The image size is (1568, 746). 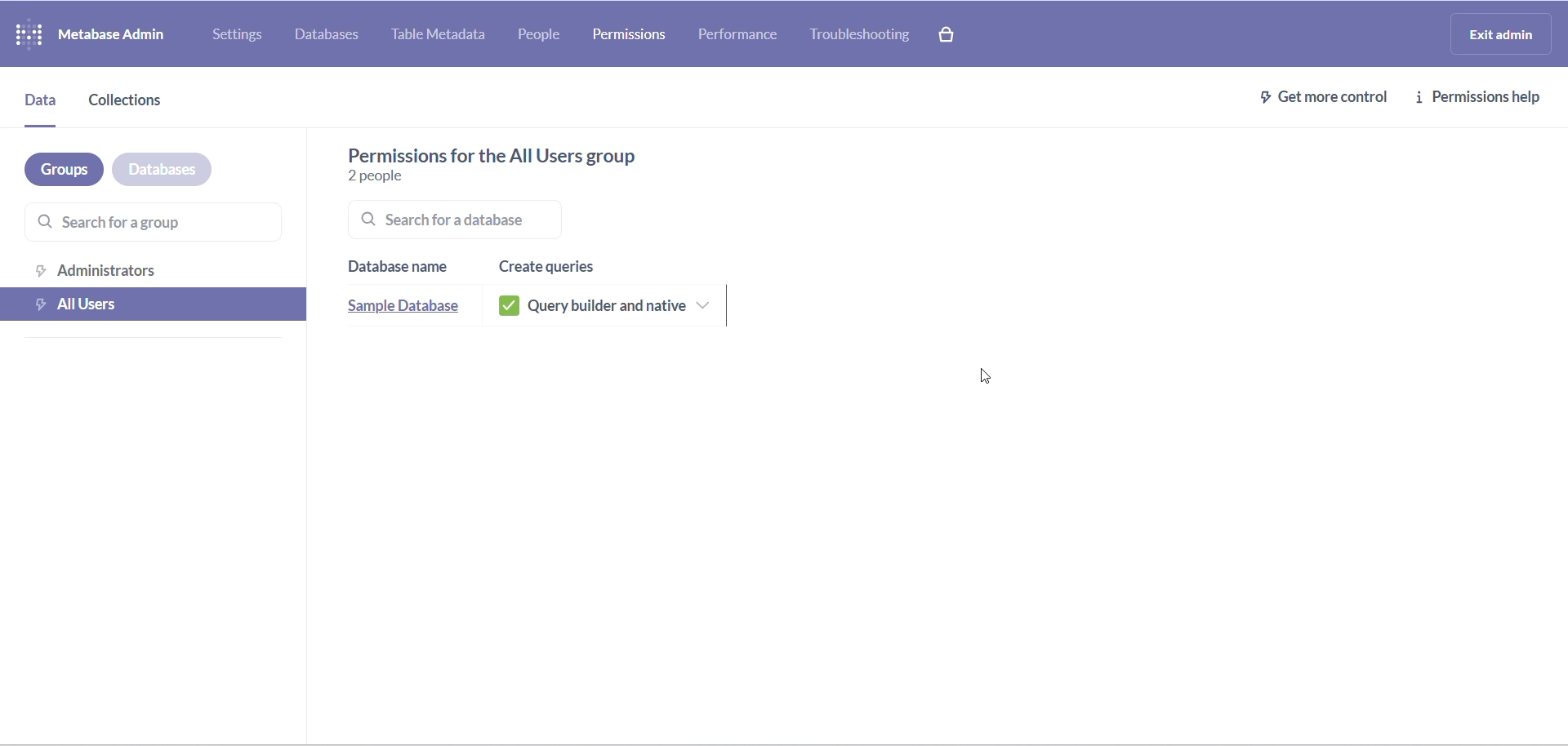 I want to click on groups, so click(x=60, y=167).